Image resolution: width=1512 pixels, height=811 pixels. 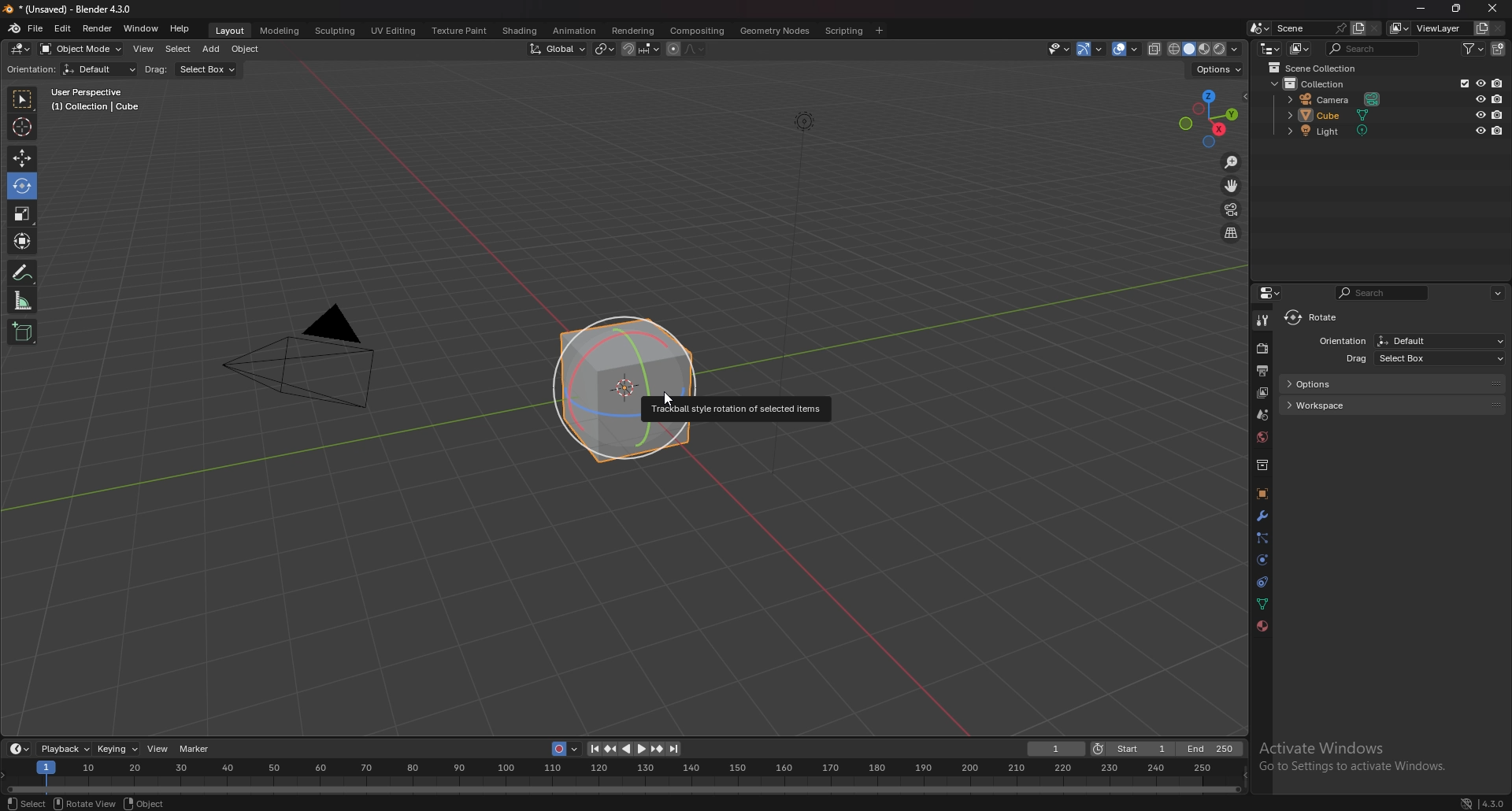 What do you see at coordinates (24, 803) in the screenshot?
I see `select` at bounding box center [24, 803].